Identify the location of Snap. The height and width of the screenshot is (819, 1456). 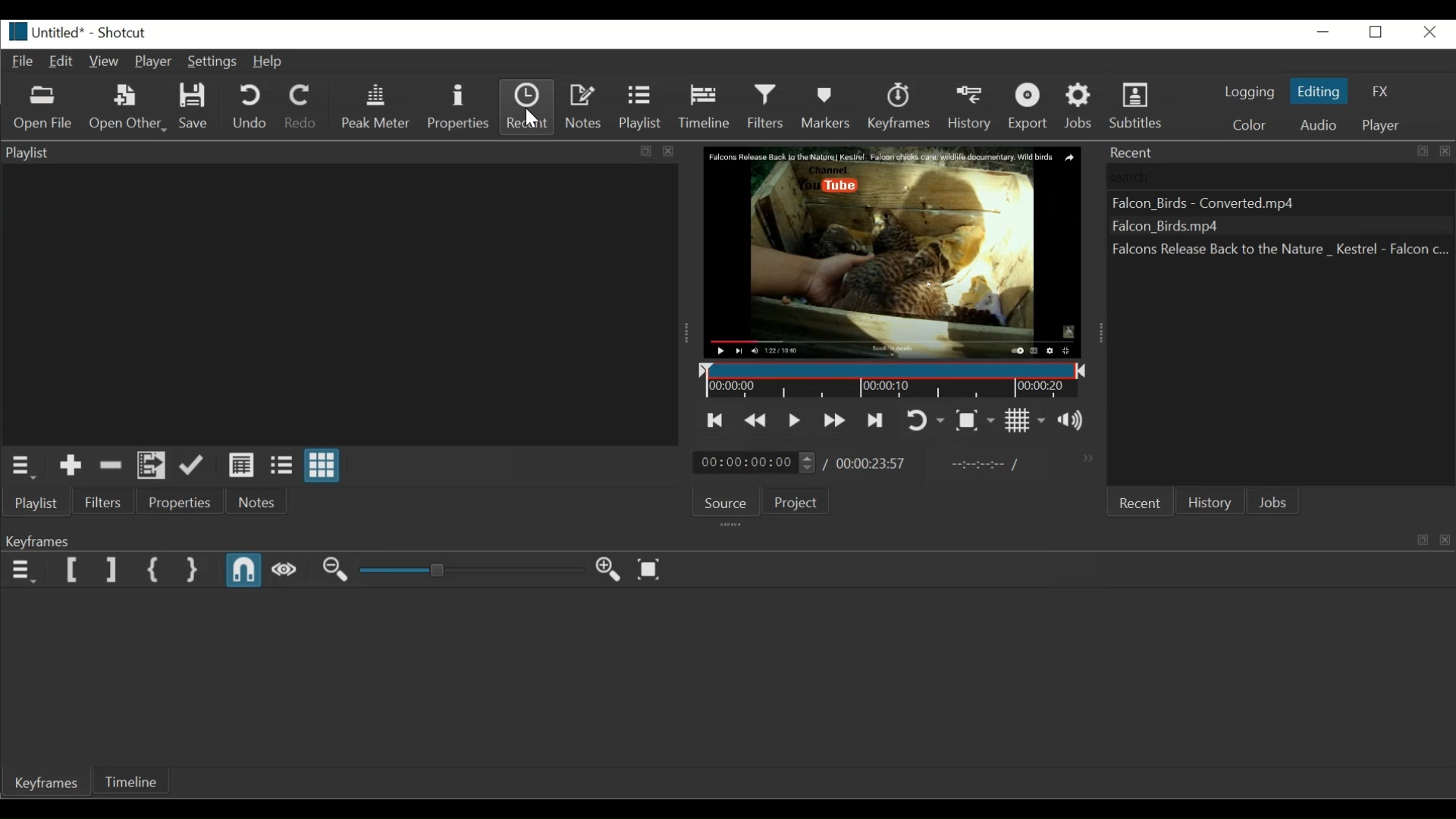
(243, 571).